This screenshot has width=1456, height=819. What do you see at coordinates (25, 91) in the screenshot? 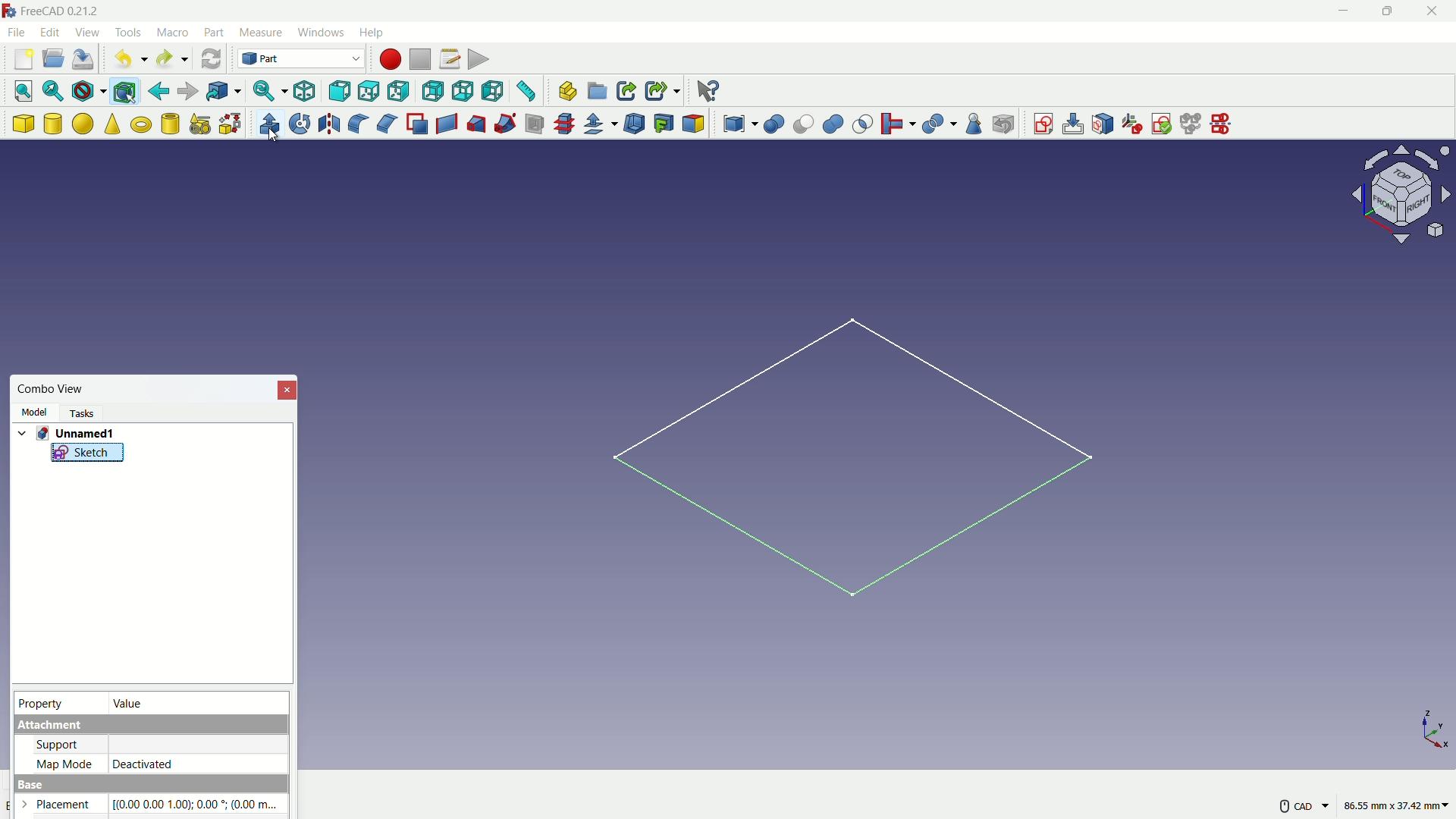
I see `fit all` at bounding box center [25, 91].